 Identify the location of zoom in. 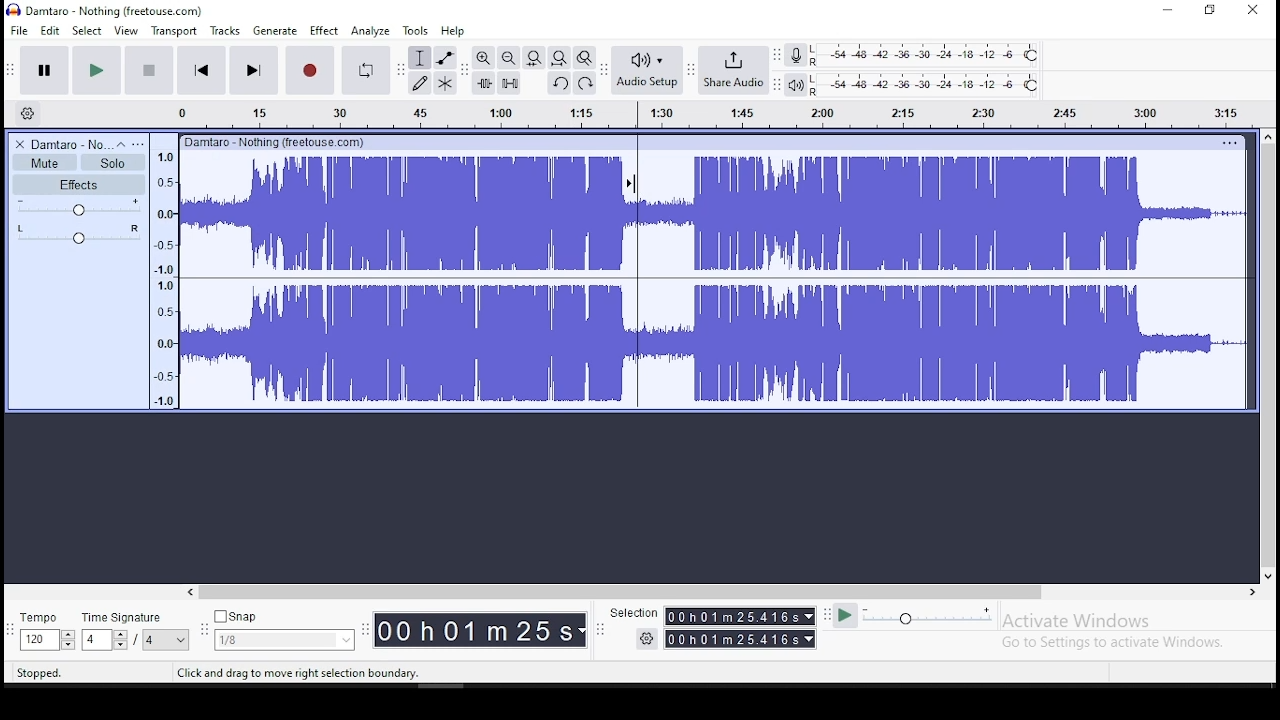
(483, 57).